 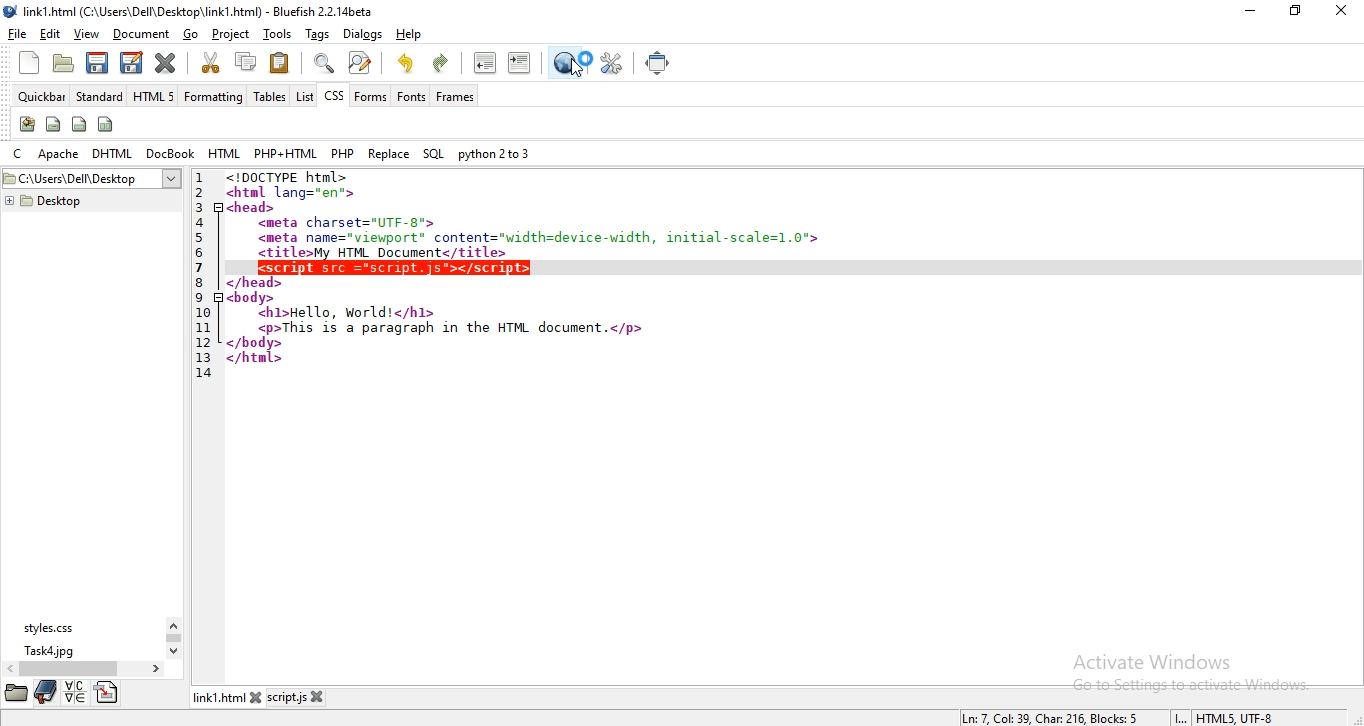 I want to click on 5, so click(x=199, y=238).